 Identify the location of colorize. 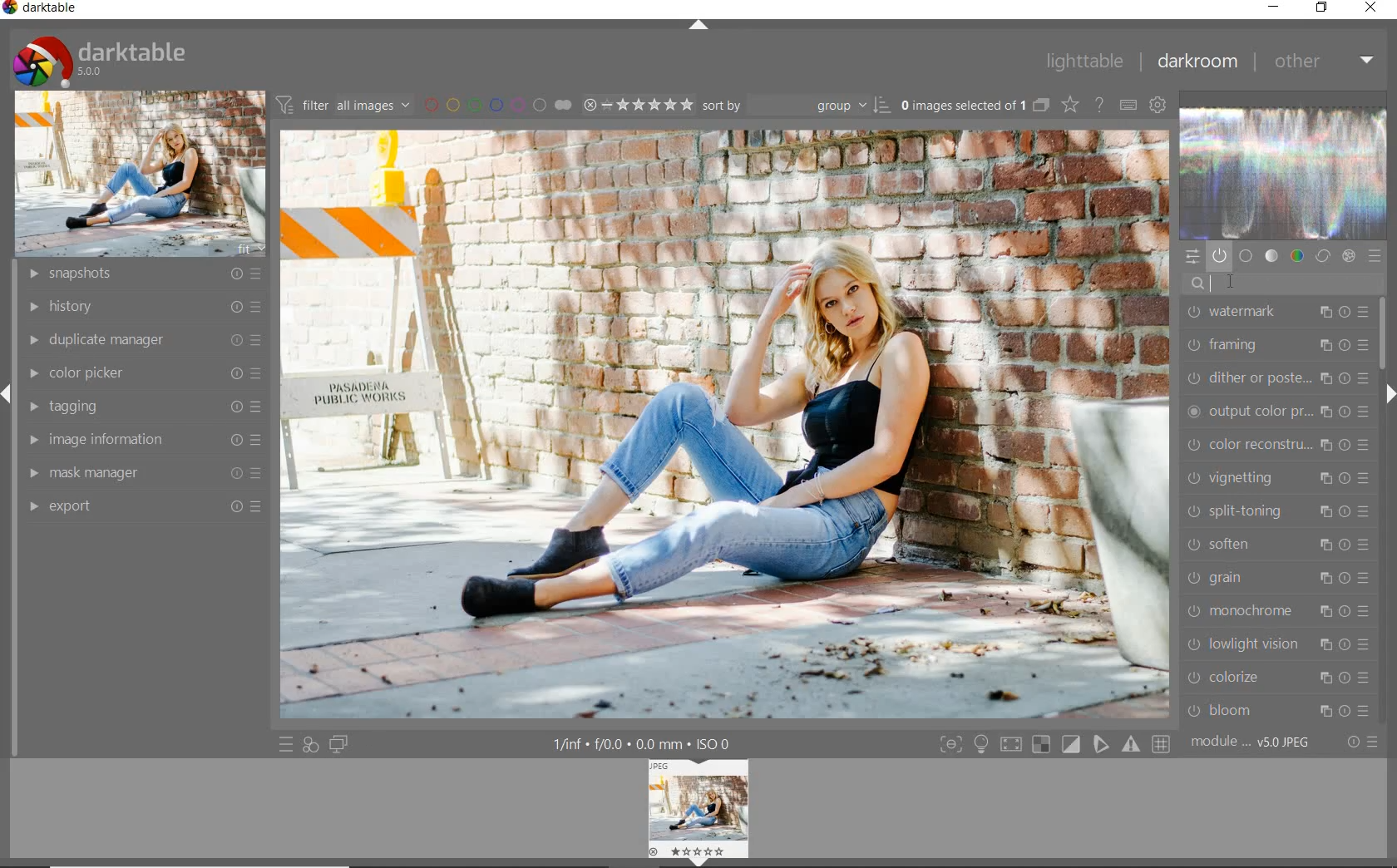
(1276, 678).